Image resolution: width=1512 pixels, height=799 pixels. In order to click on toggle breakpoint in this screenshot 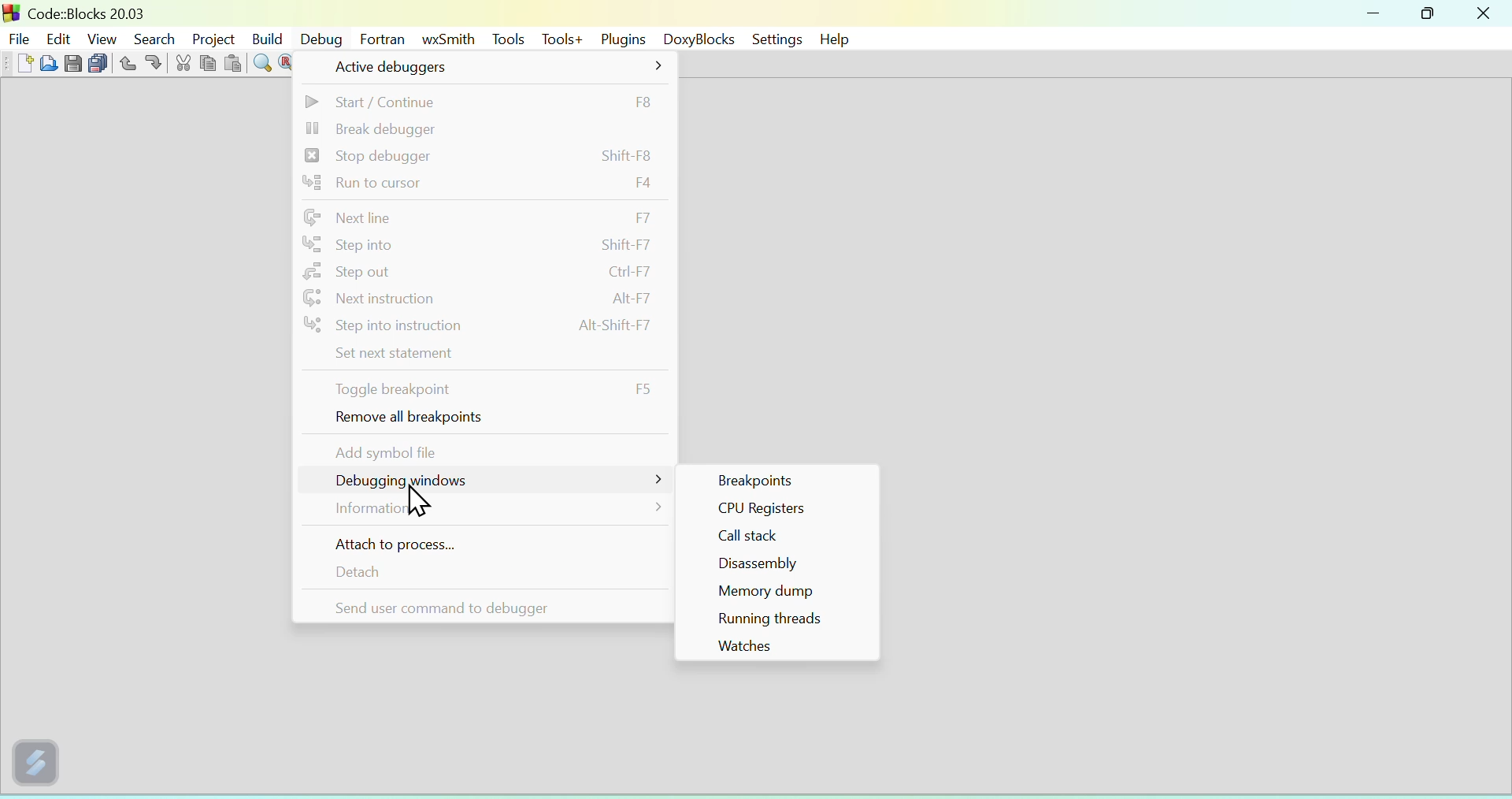, I will do `click(480, 389)`.